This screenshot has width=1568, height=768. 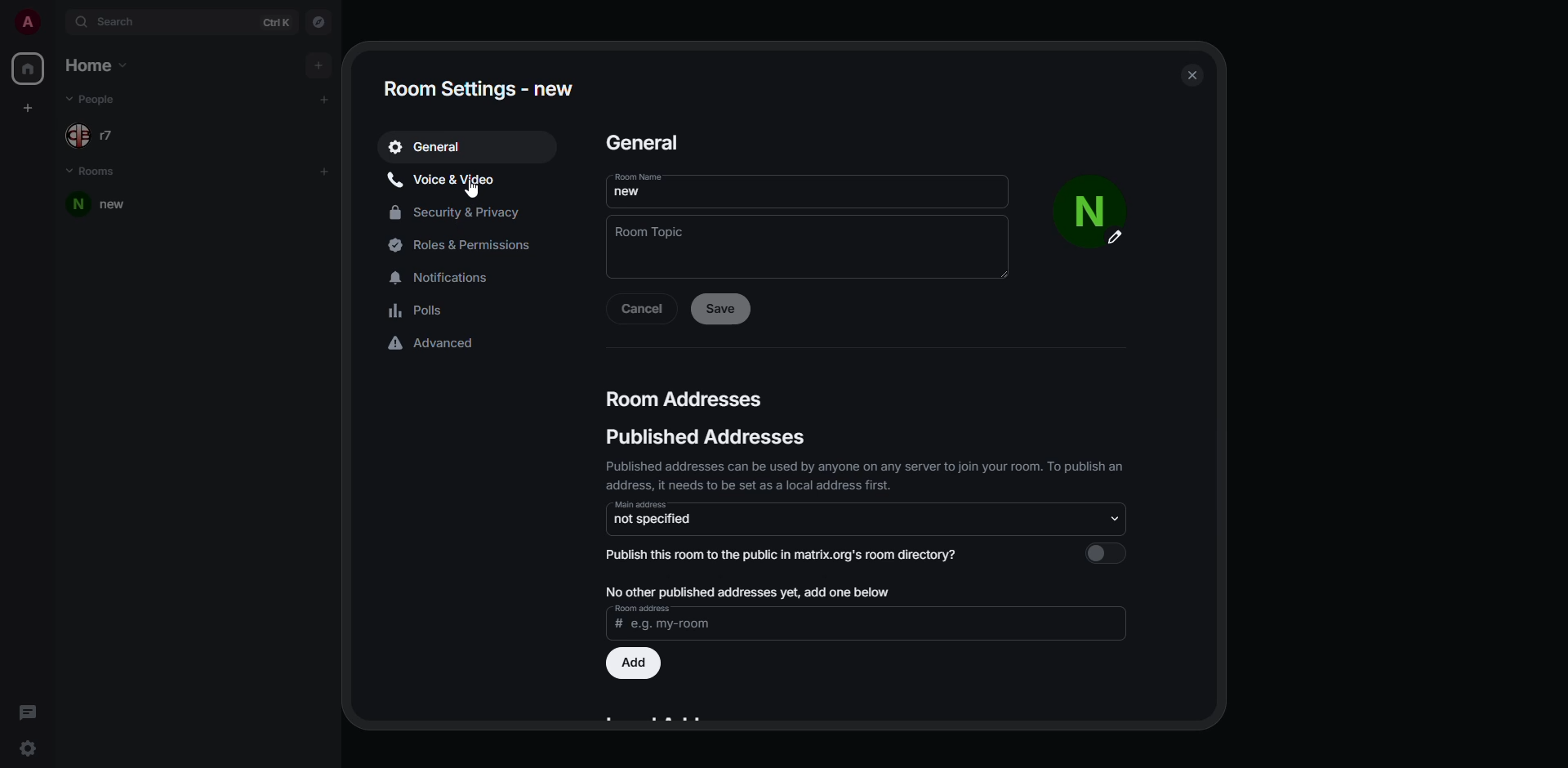 What do you see at coordinates (91, 100) in the screenshot?
I see `people` at bounding box center [91, 100].